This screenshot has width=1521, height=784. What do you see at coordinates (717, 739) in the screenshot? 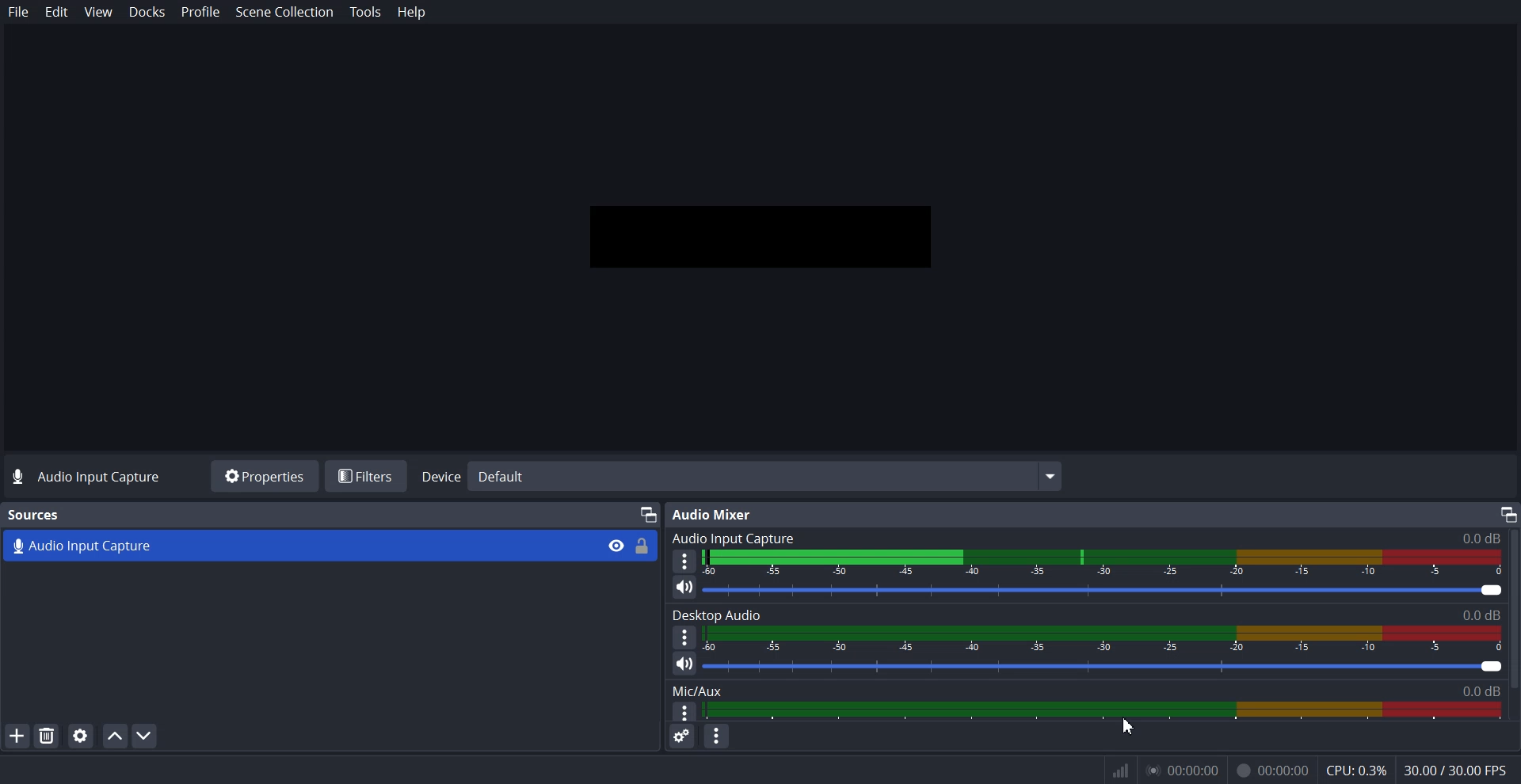
I see `Audio mixer menu` at bounding box center [717, 739].